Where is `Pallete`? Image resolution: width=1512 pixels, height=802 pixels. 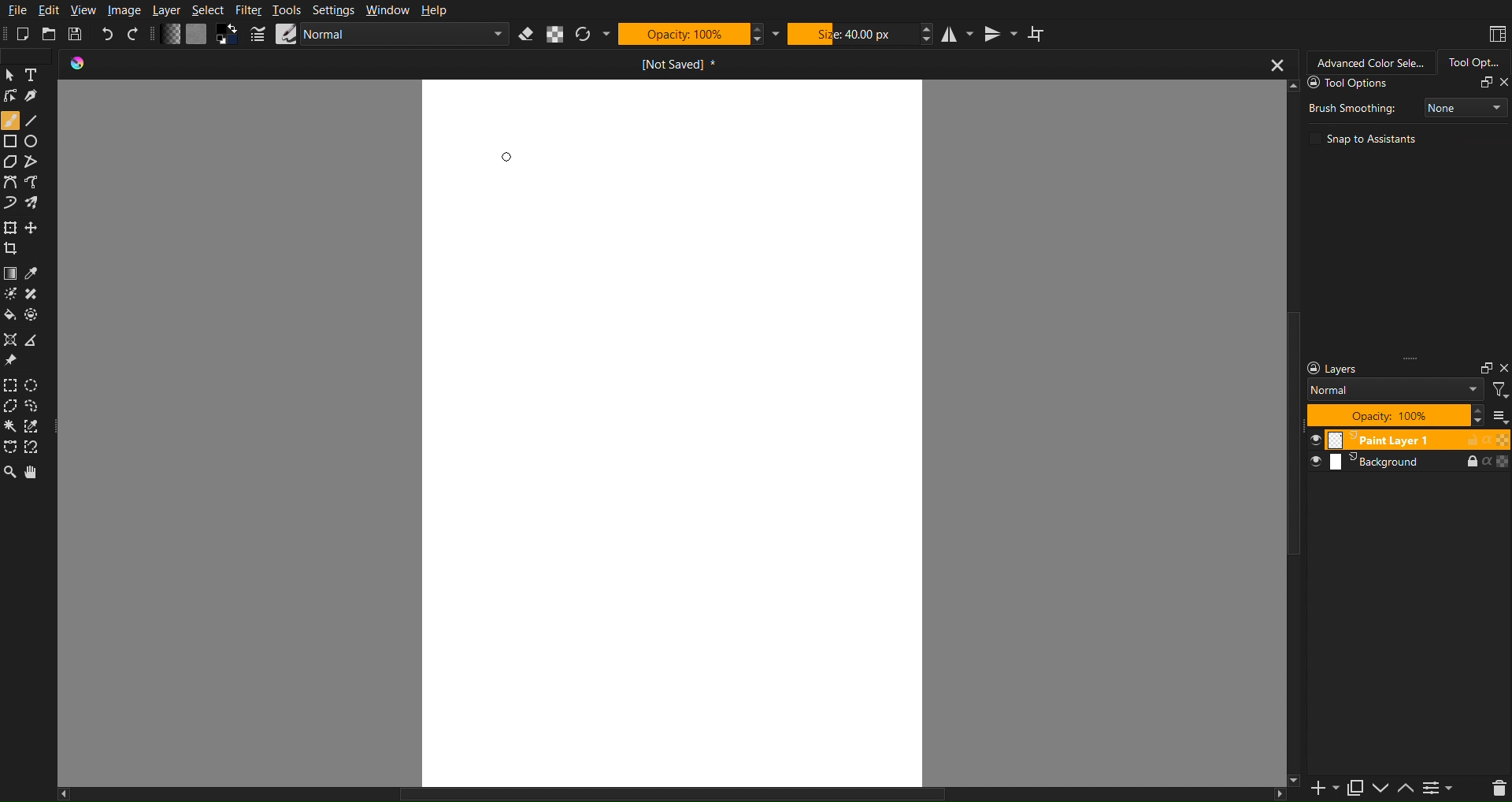
Pallete is located at coordinates (35, 314).